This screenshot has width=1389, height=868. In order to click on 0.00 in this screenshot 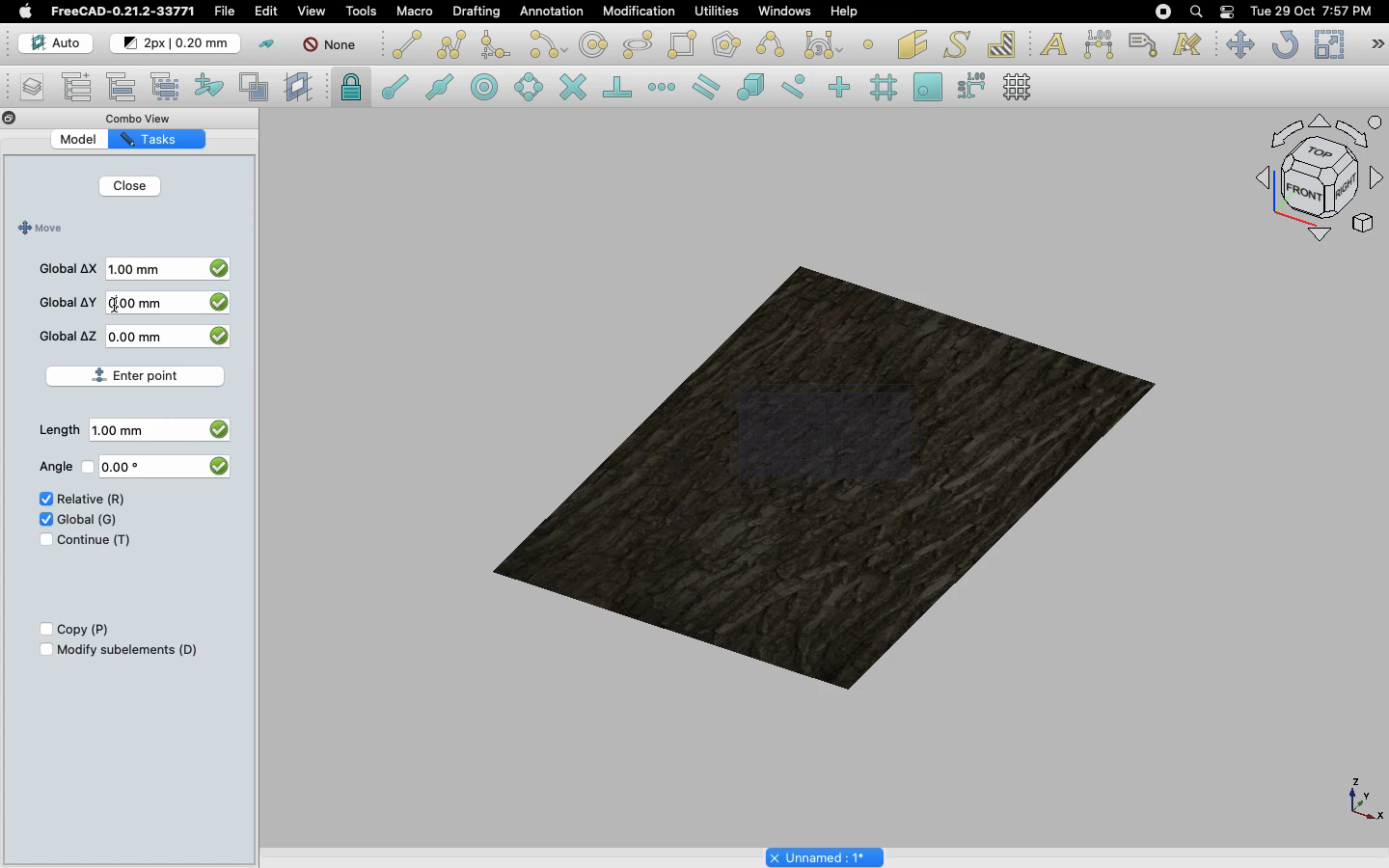, I will do `click(127, 469)`.